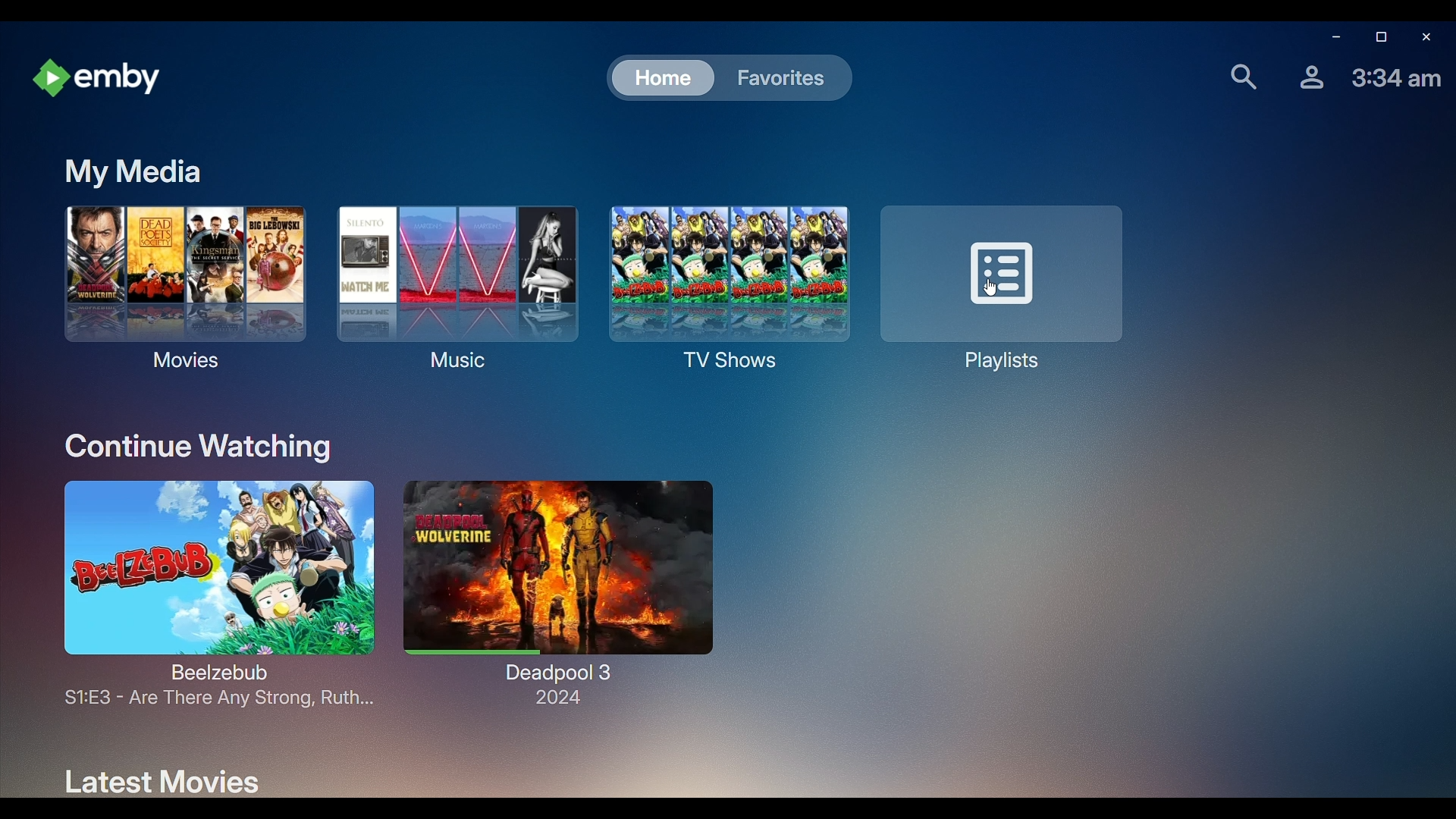 Image resolution: width=1456 pixels, height=819 pixels. Describe the element at coordinates (1239, 74) in the screenshot. I see `Find` at that location.